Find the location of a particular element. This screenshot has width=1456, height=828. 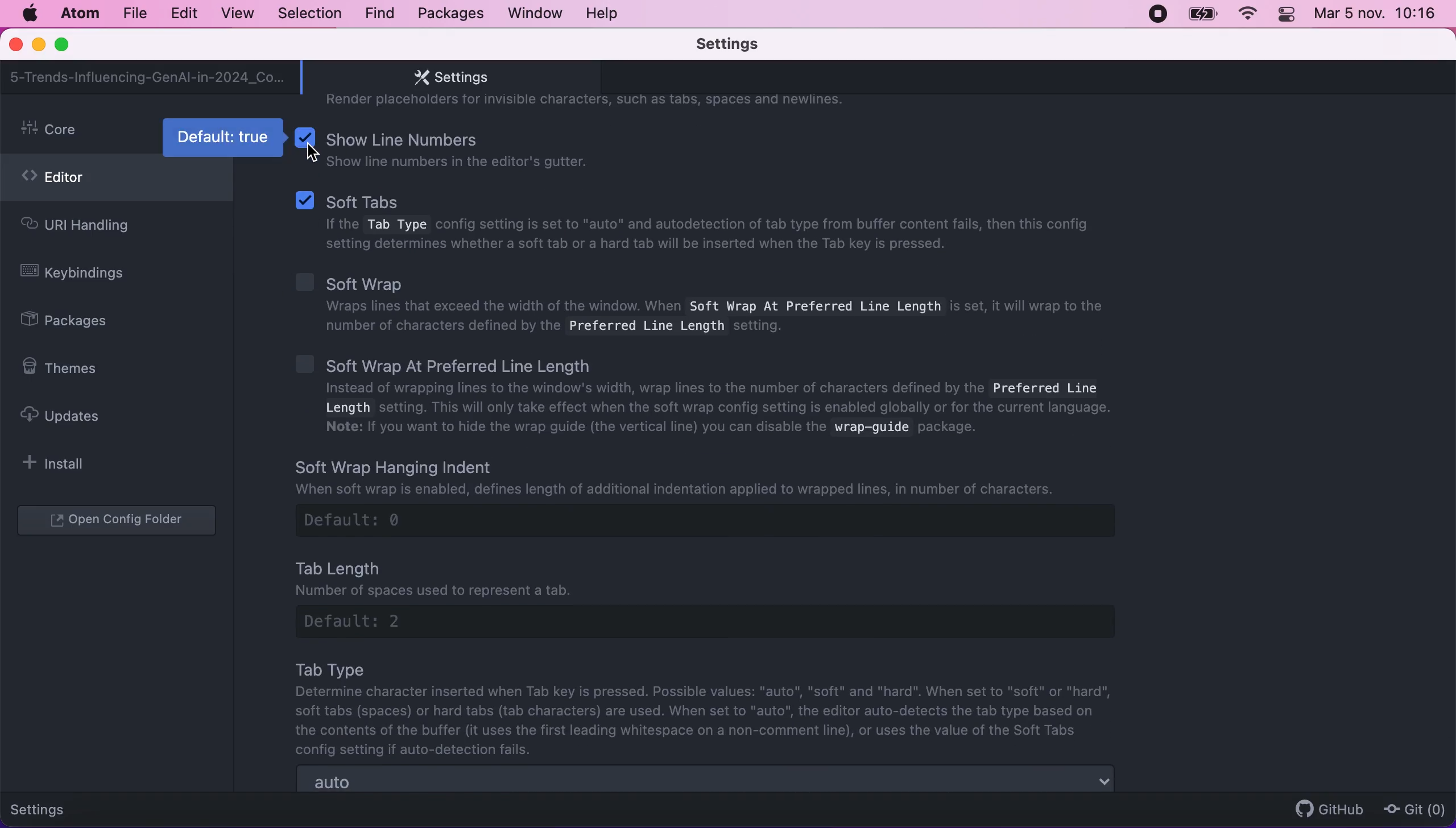

recording stopped is located at coordinates (1156, 13).